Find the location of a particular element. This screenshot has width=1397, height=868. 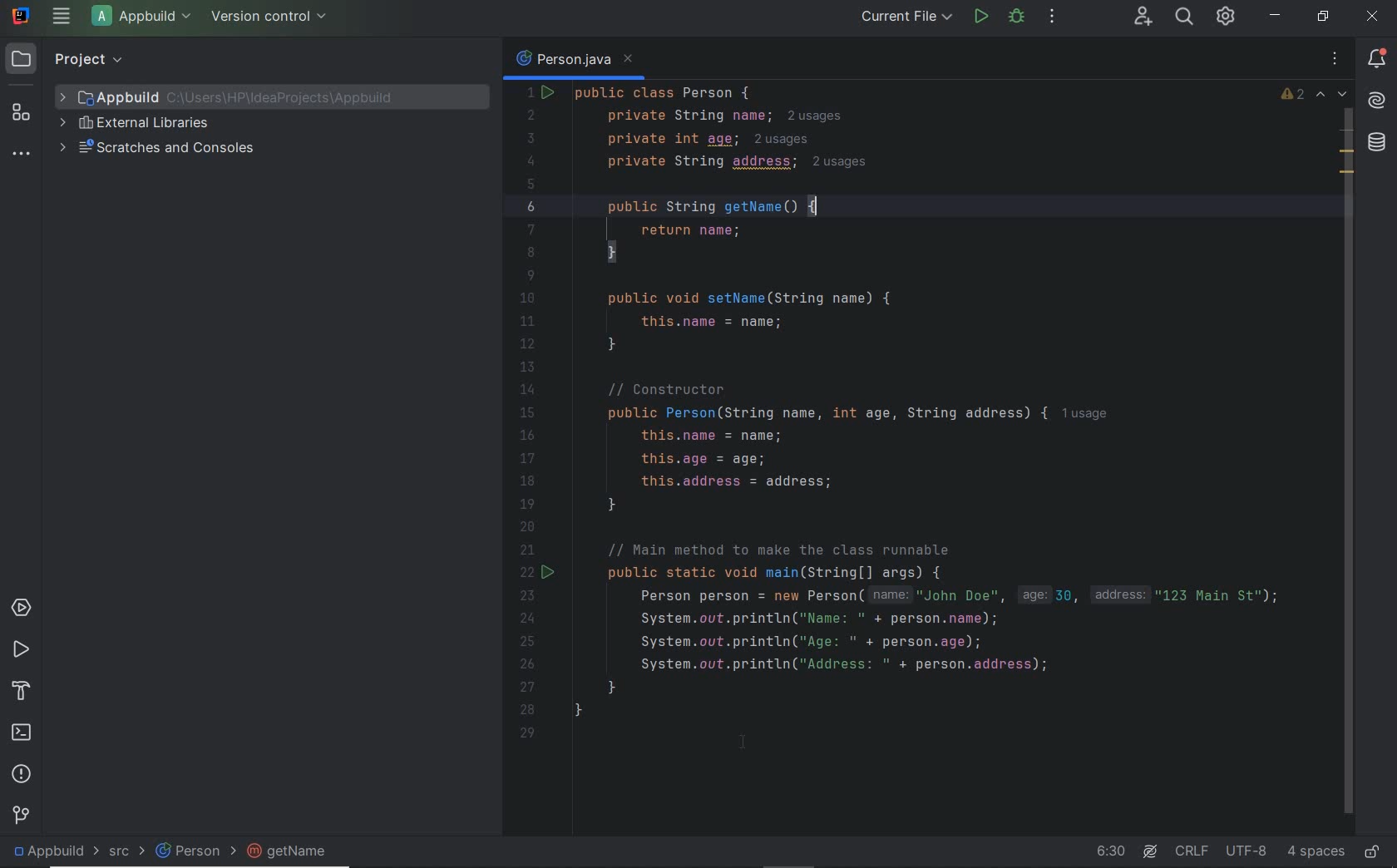

structure is located at coordinates (21, 113).